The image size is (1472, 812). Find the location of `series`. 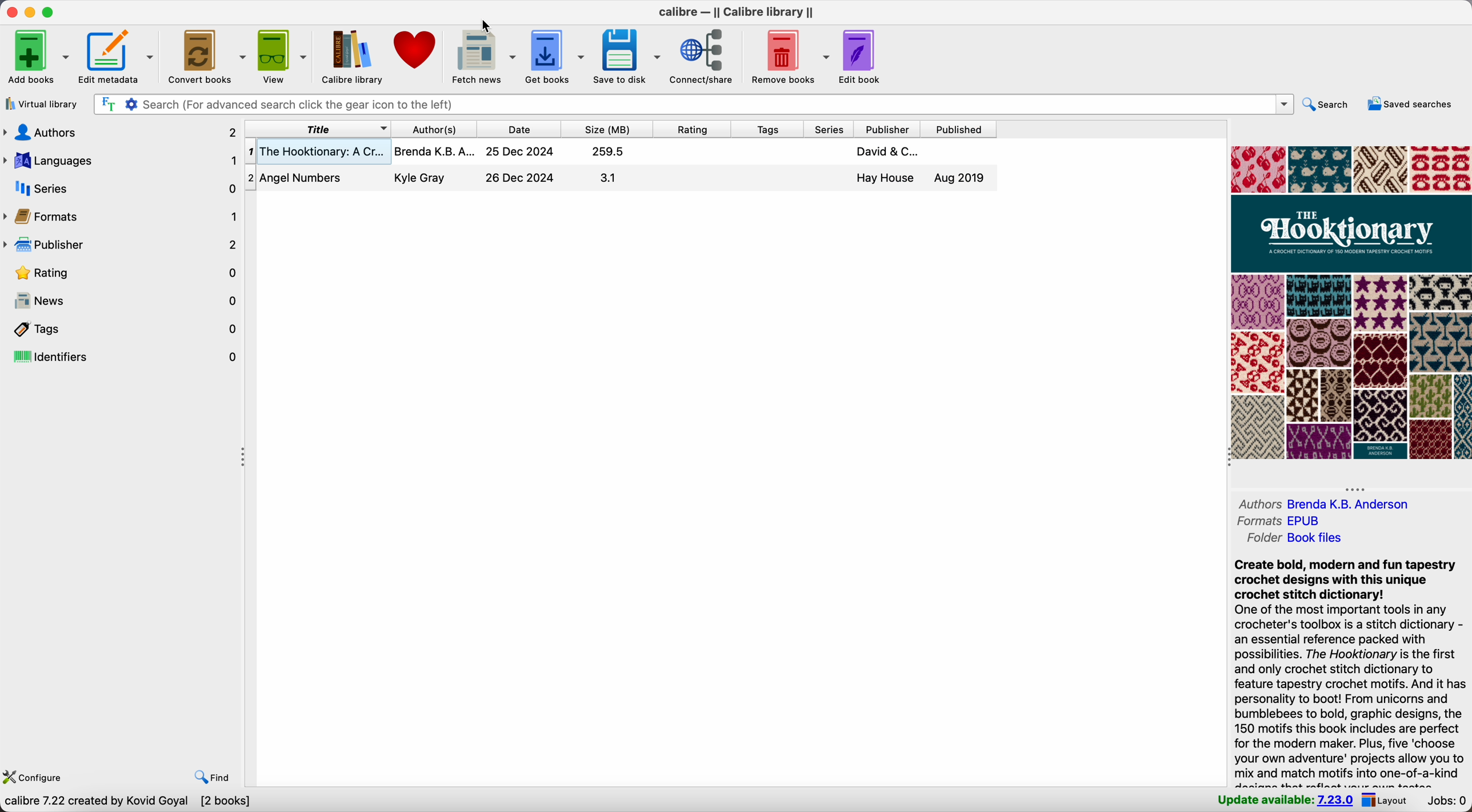

series is located at coordinates (832, 129).